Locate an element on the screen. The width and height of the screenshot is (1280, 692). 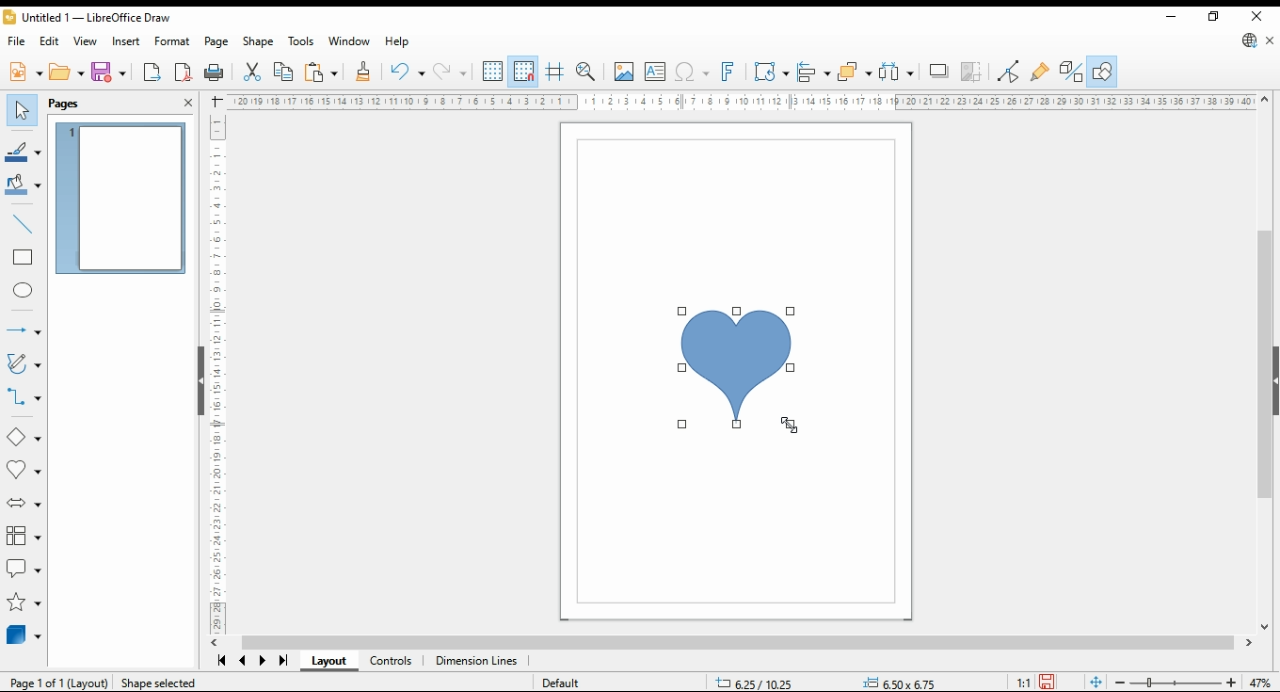
crop is located at coordinates (975, 72).